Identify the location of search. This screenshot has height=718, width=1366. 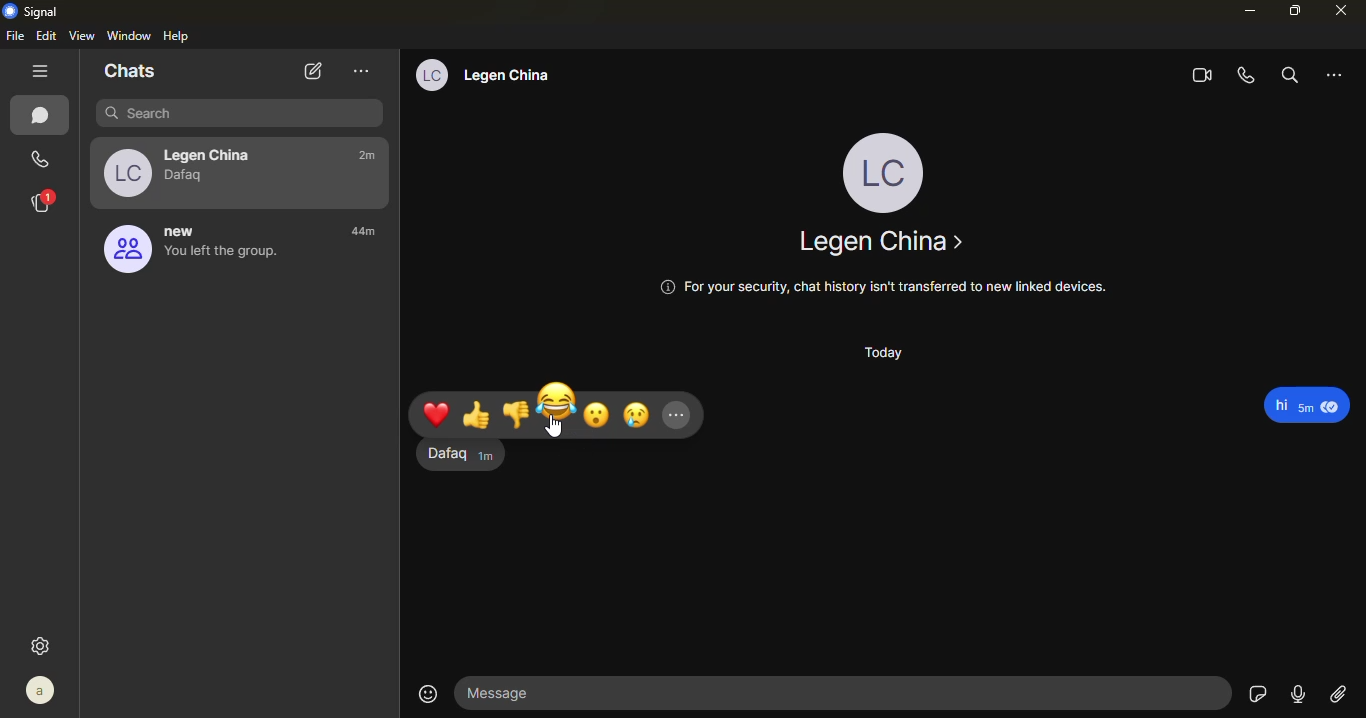
(240, 115).